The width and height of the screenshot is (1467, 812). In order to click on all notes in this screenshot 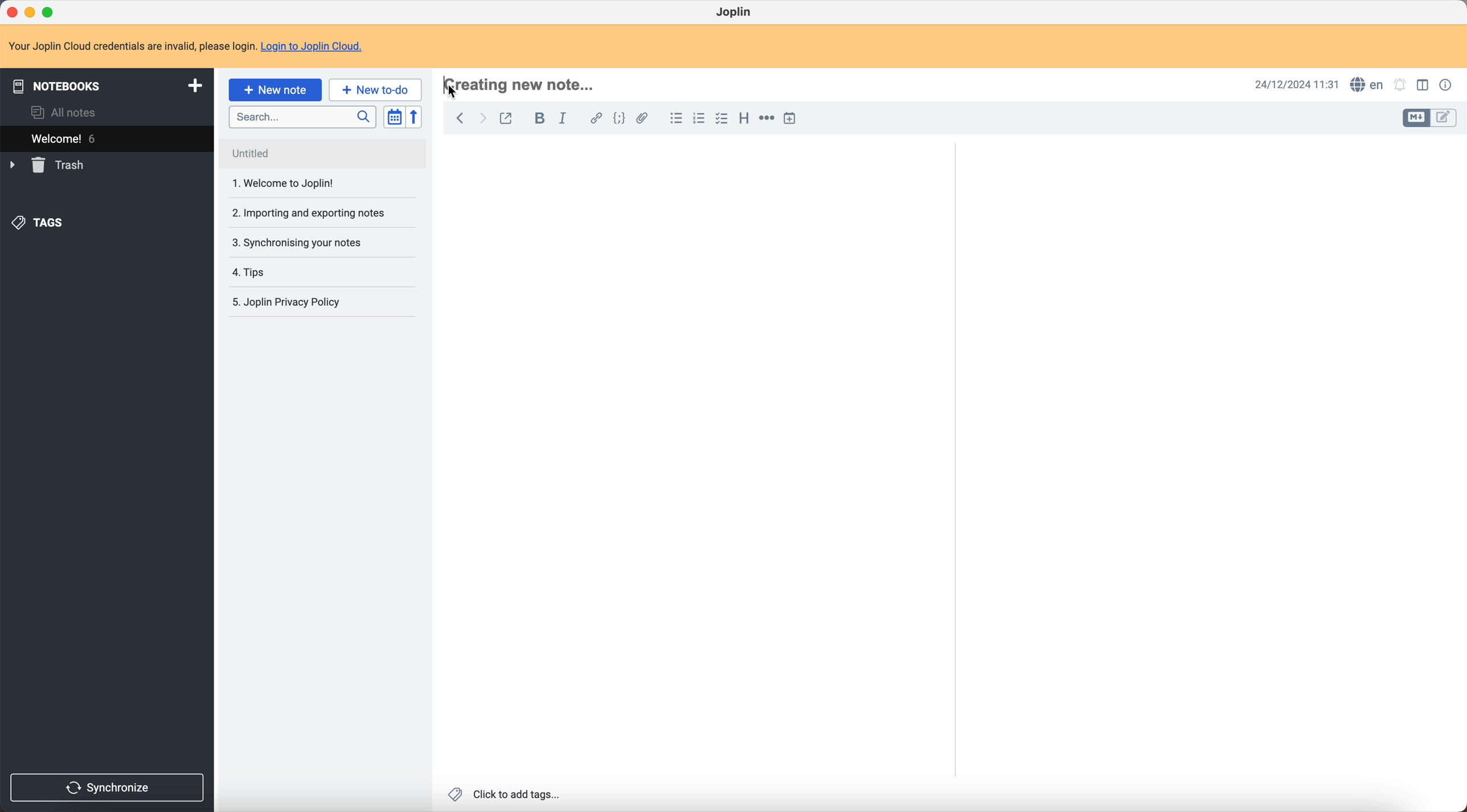, I will do `click(64, 111)`.